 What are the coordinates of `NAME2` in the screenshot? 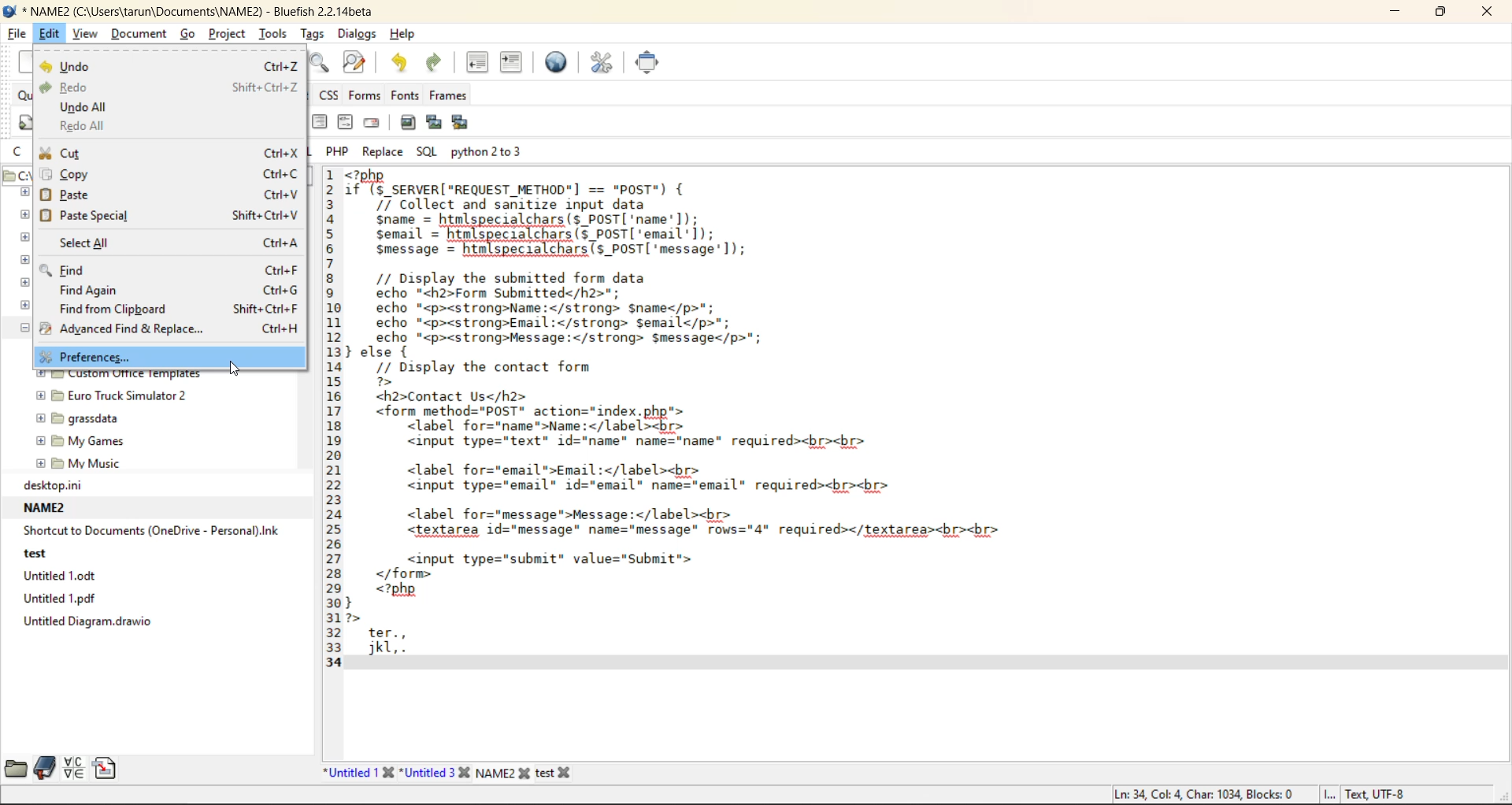 It's located at (39, 506).